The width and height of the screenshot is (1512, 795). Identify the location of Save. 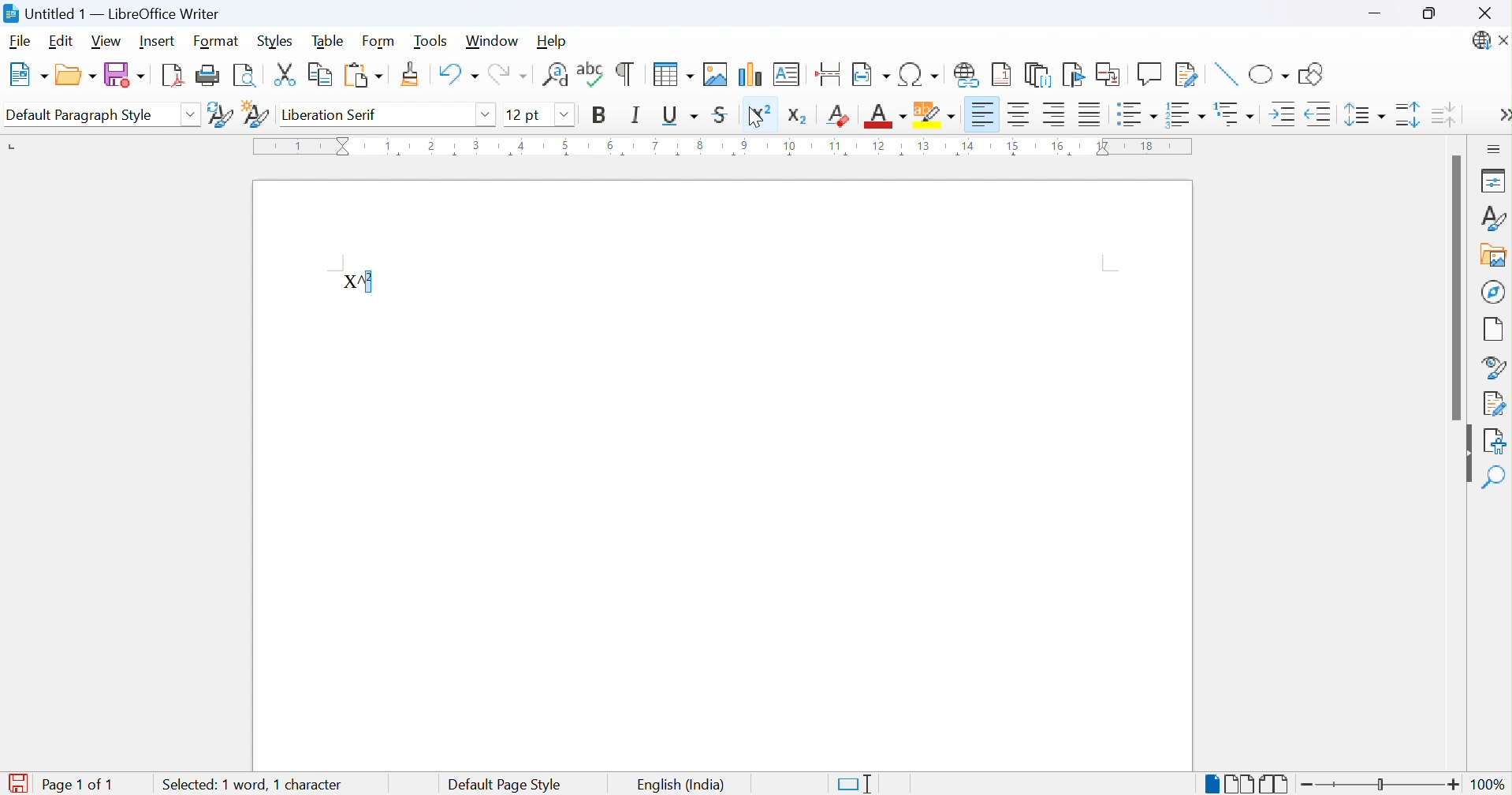
(126, 75).